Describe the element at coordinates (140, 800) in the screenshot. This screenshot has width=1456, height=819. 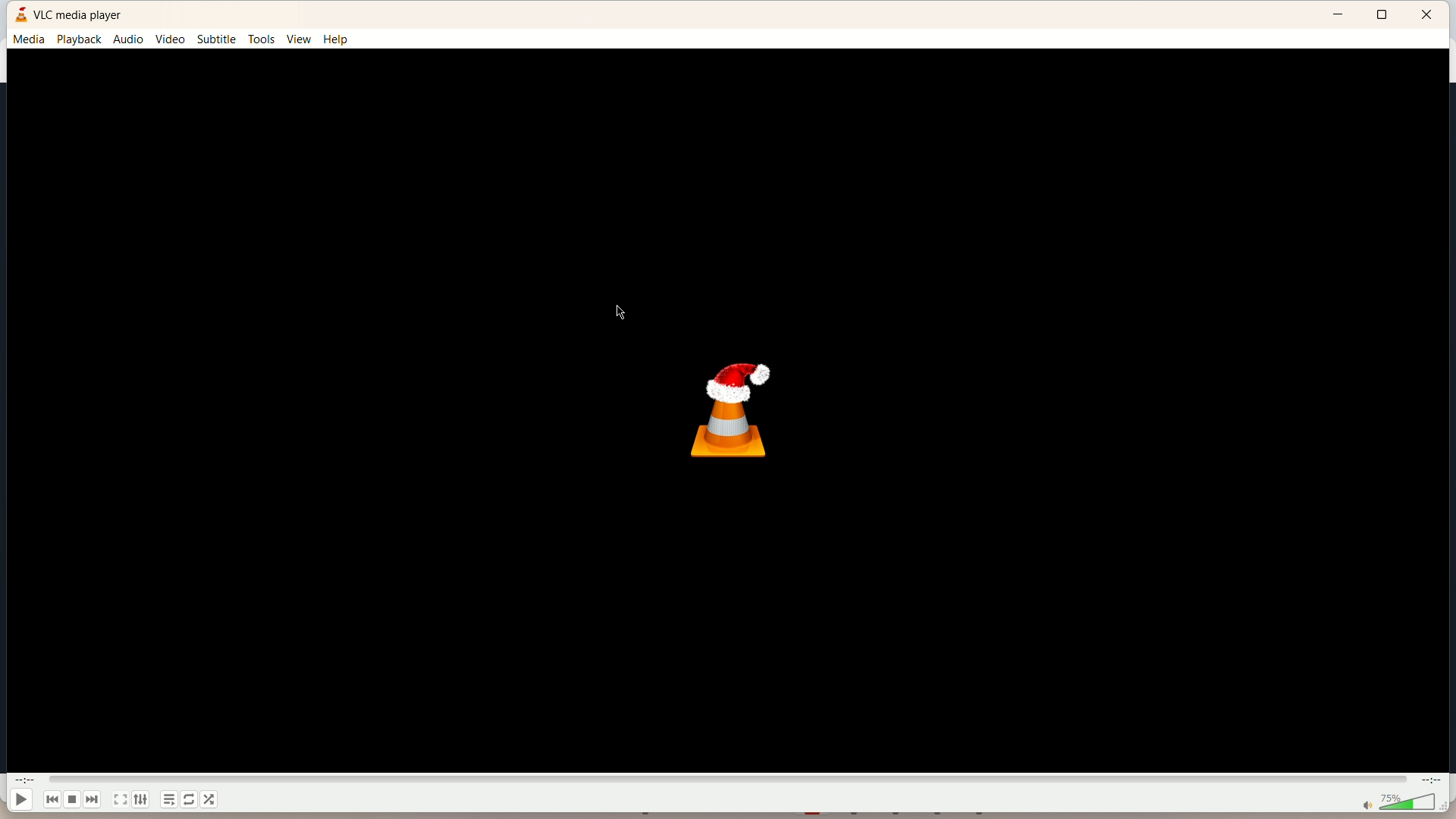
I see `extended settings` at that location.